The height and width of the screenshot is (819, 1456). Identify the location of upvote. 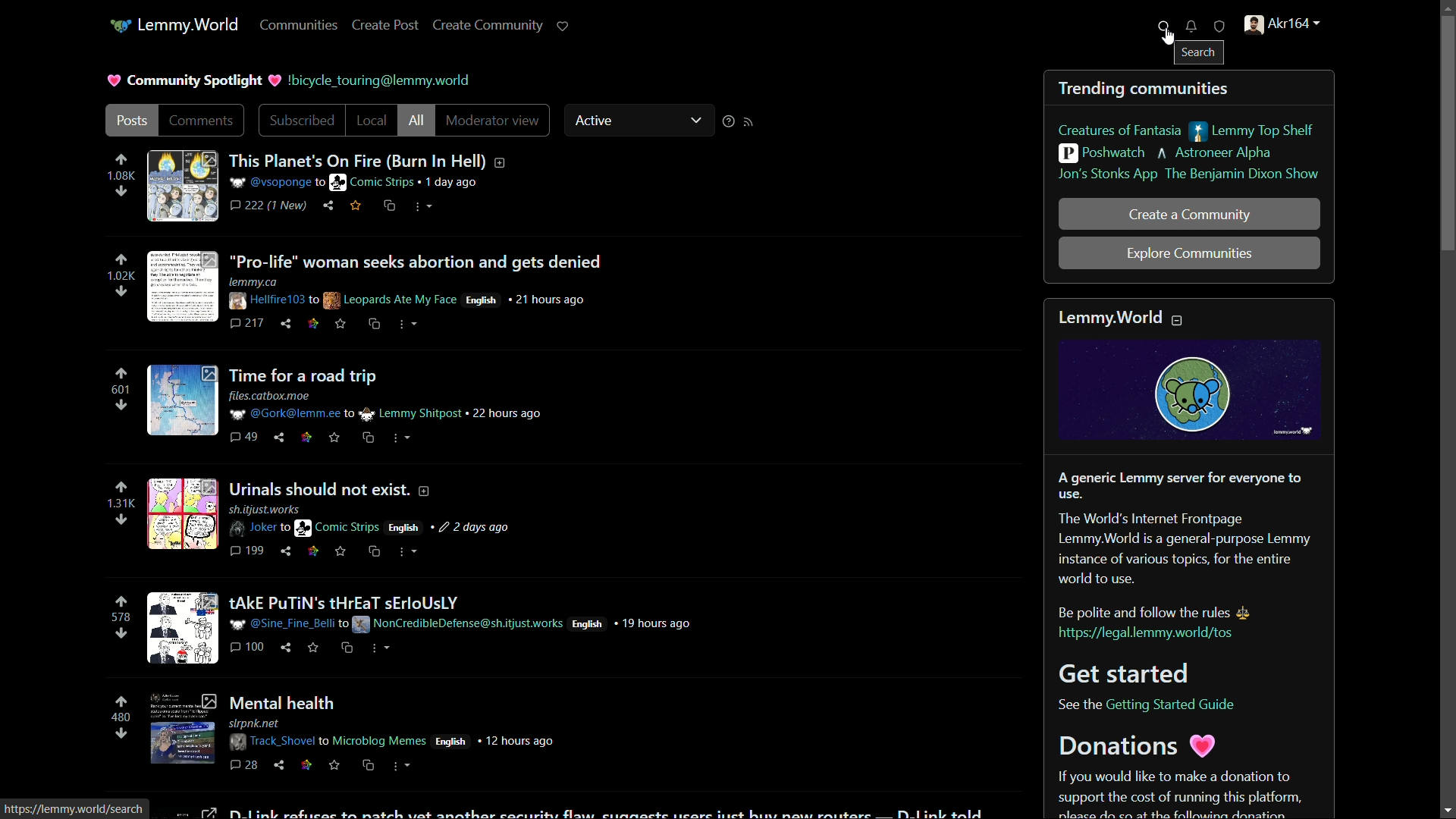
(122, 374).